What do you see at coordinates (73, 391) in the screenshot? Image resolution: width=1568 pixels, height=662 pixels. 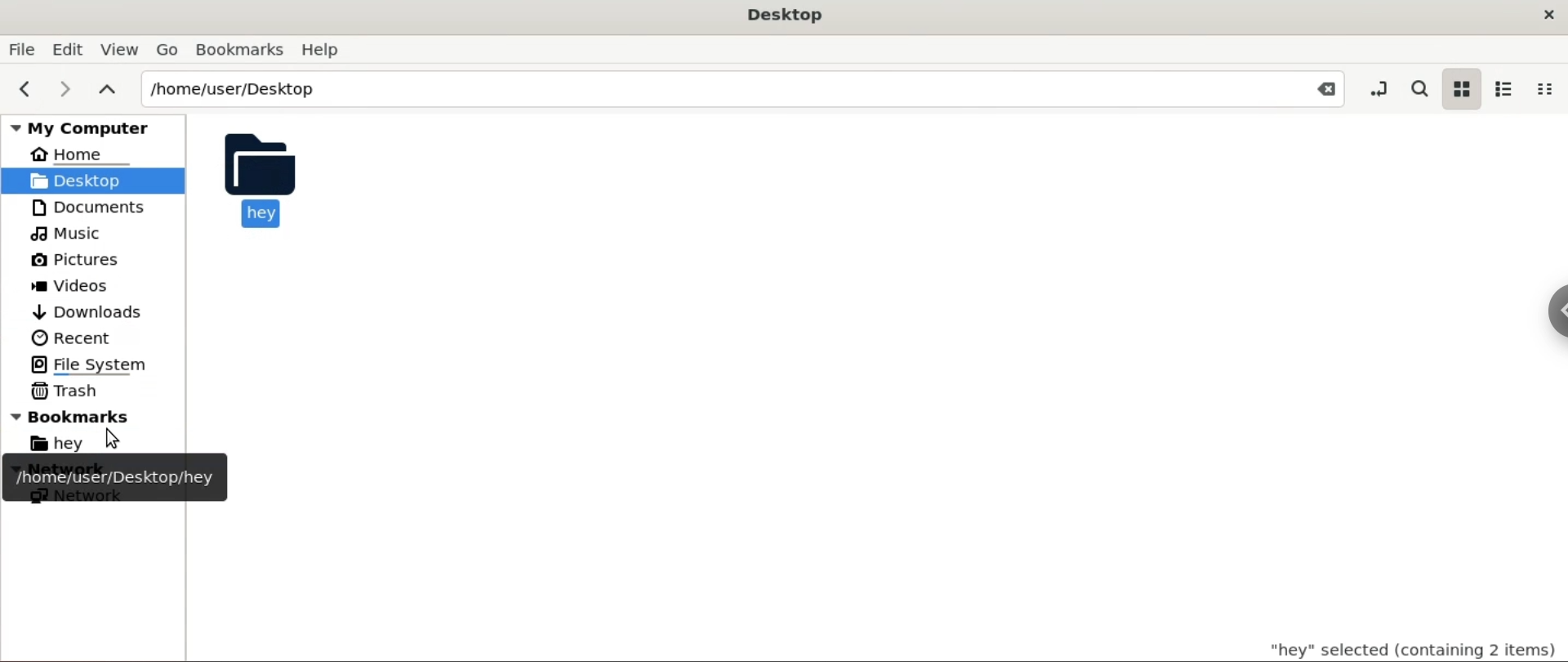 I see `Trash` at bounding box center [73, 391].